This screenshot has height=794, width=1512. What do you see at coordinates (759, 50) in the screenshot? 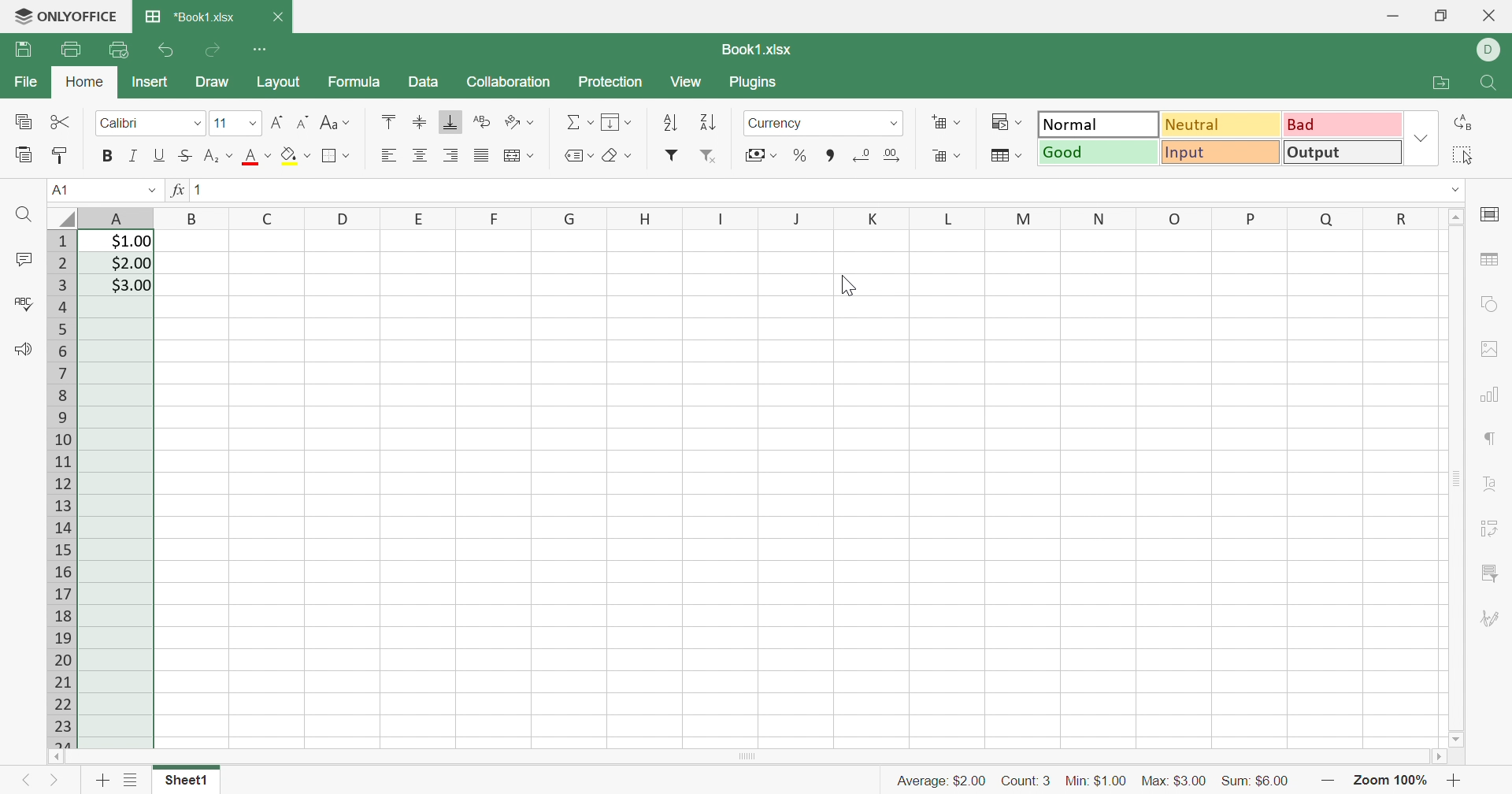
I see `Book1.xlsx` at bounding box center [759, 50].